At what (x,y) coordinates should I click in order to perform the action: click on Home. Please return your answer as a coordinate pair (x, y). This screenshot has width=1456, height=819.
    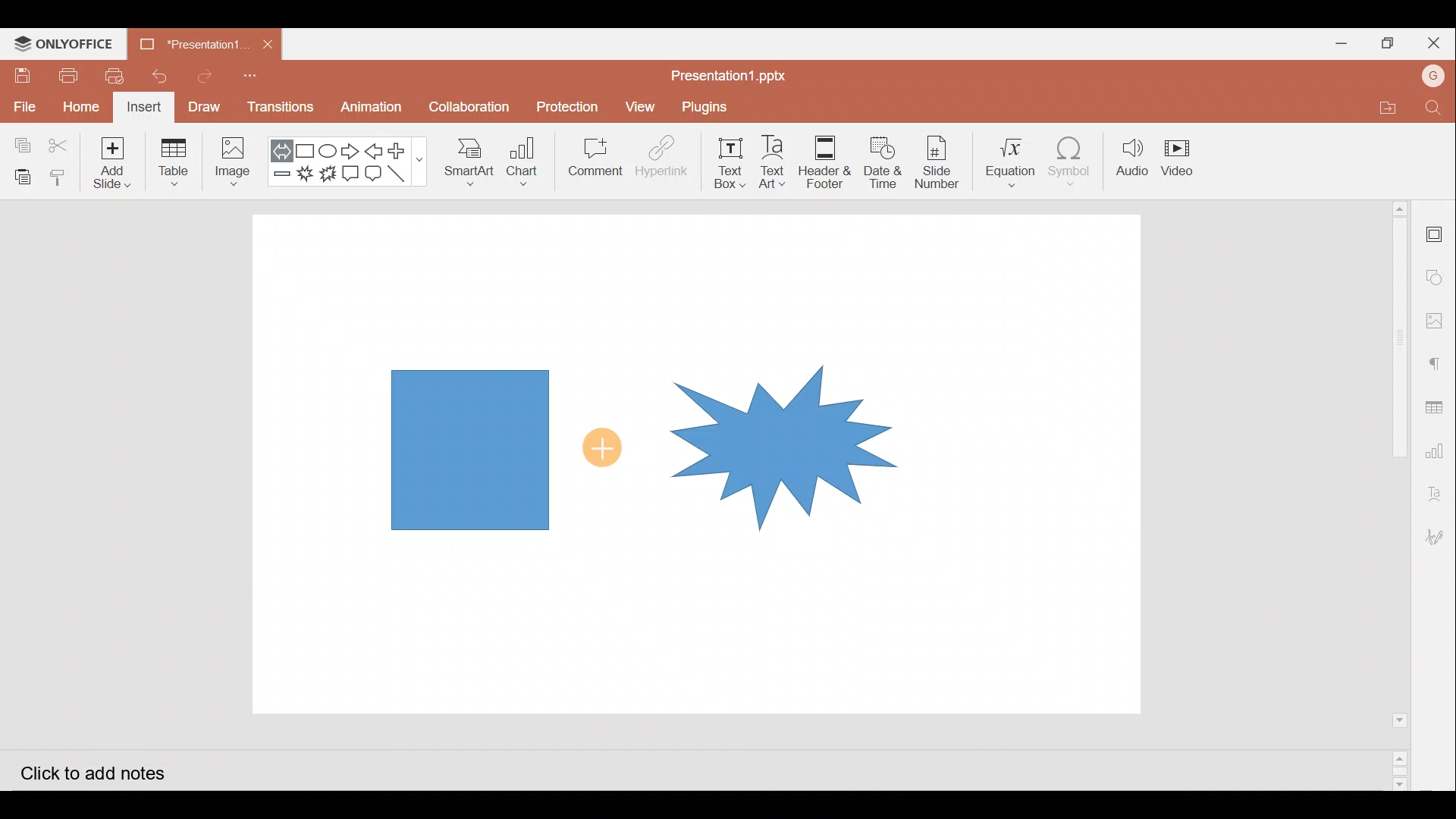
    Looking at the image, I should click on (80, 108).